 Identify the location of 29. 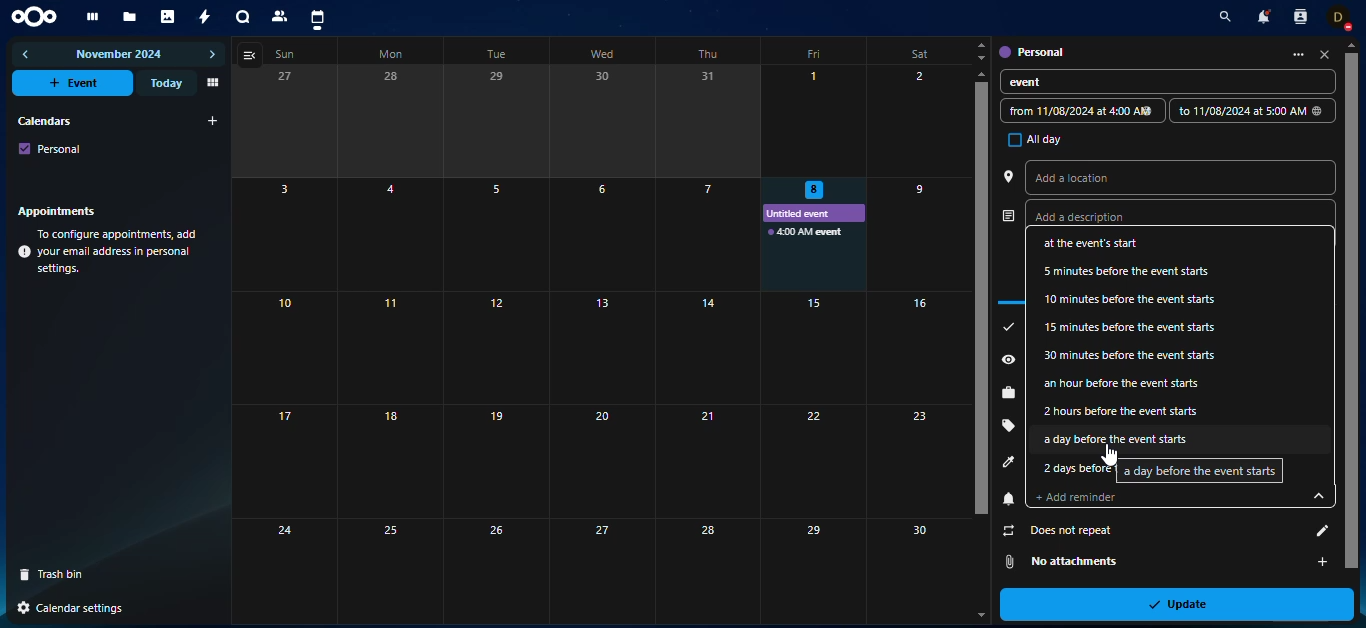
(809, 569).